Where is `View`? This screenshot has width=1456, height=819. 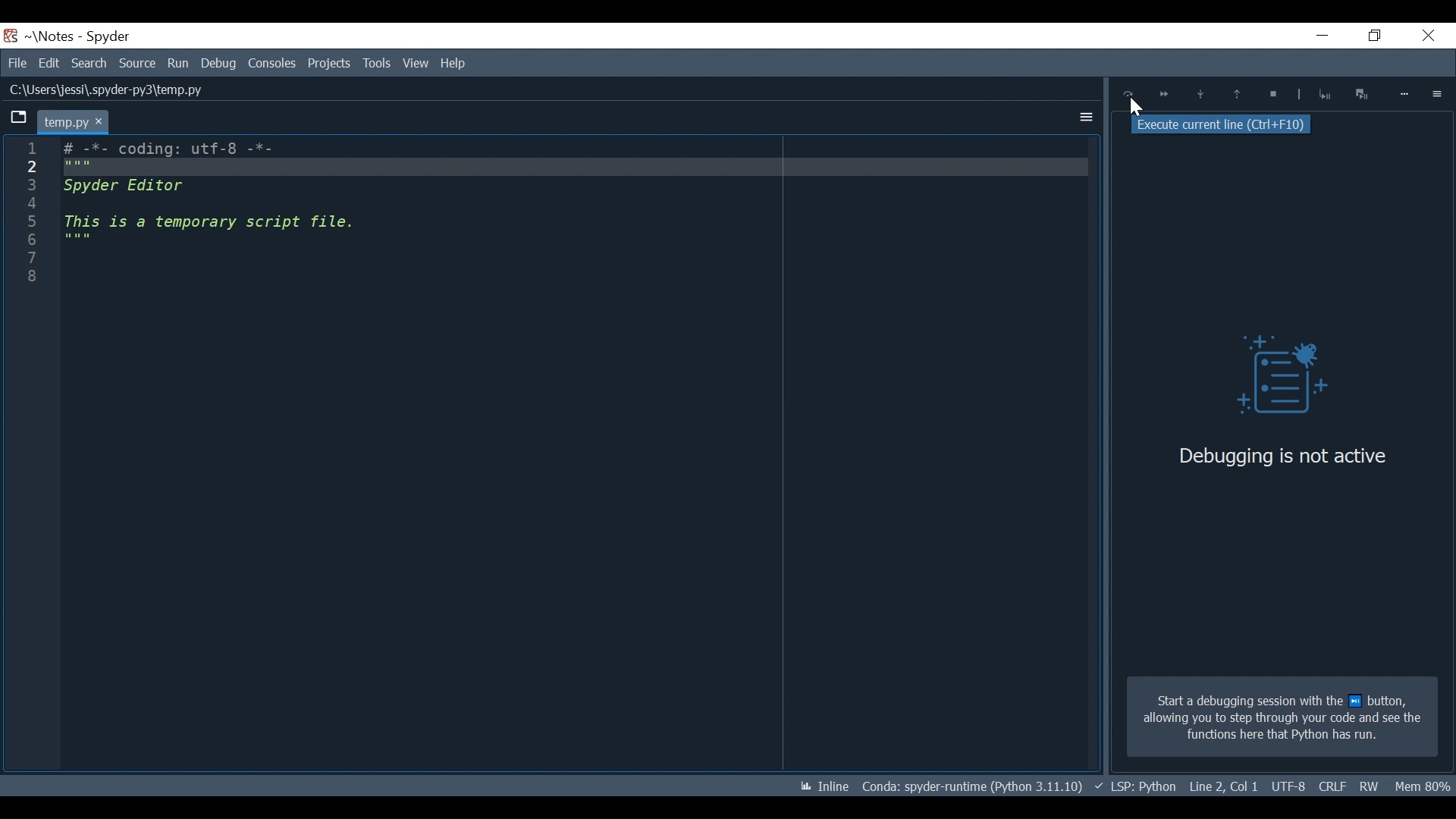 View is located at coordinates (376, 63).